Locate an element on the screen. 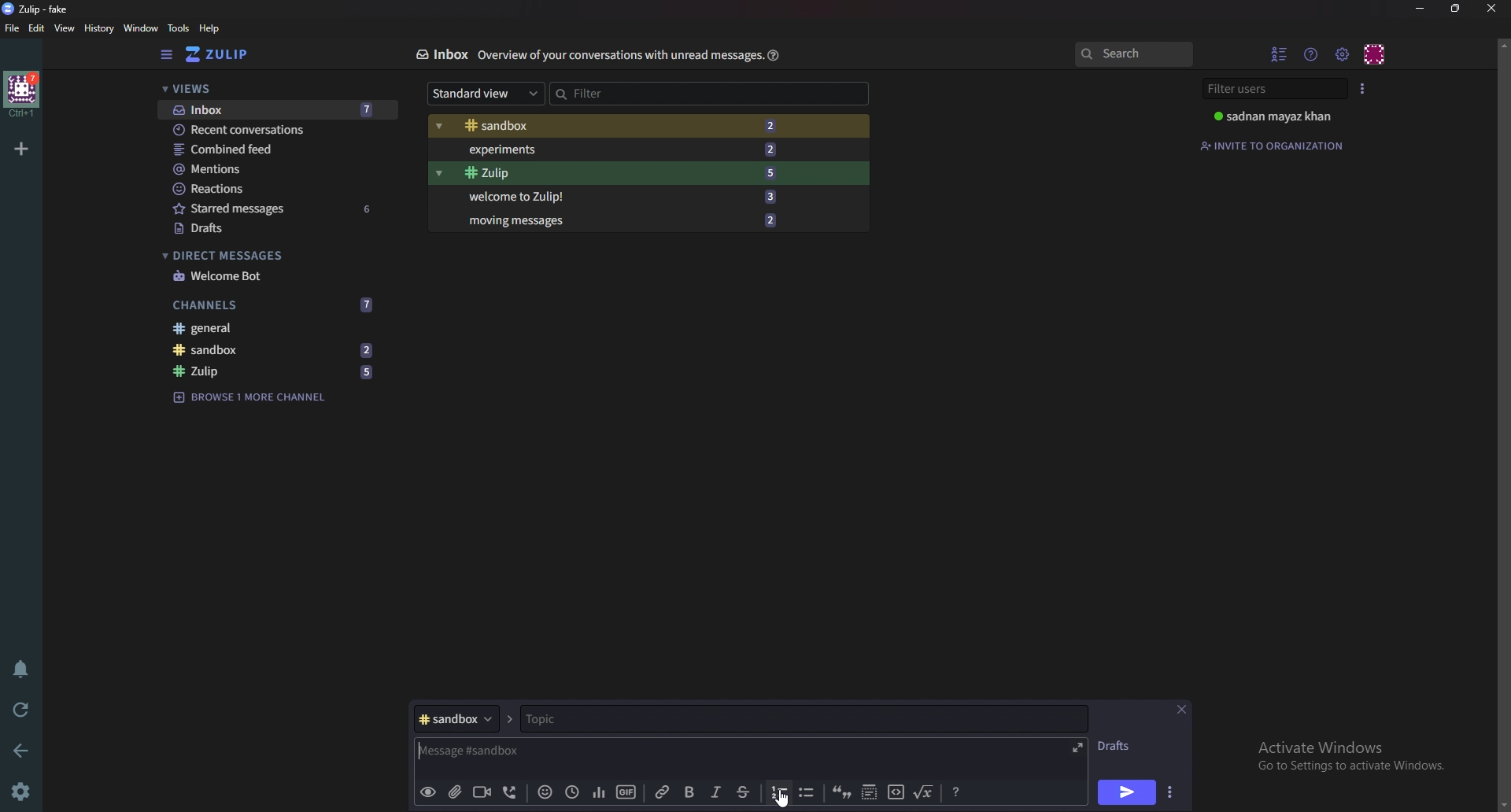  Settings is located at coordinates (24, 791).